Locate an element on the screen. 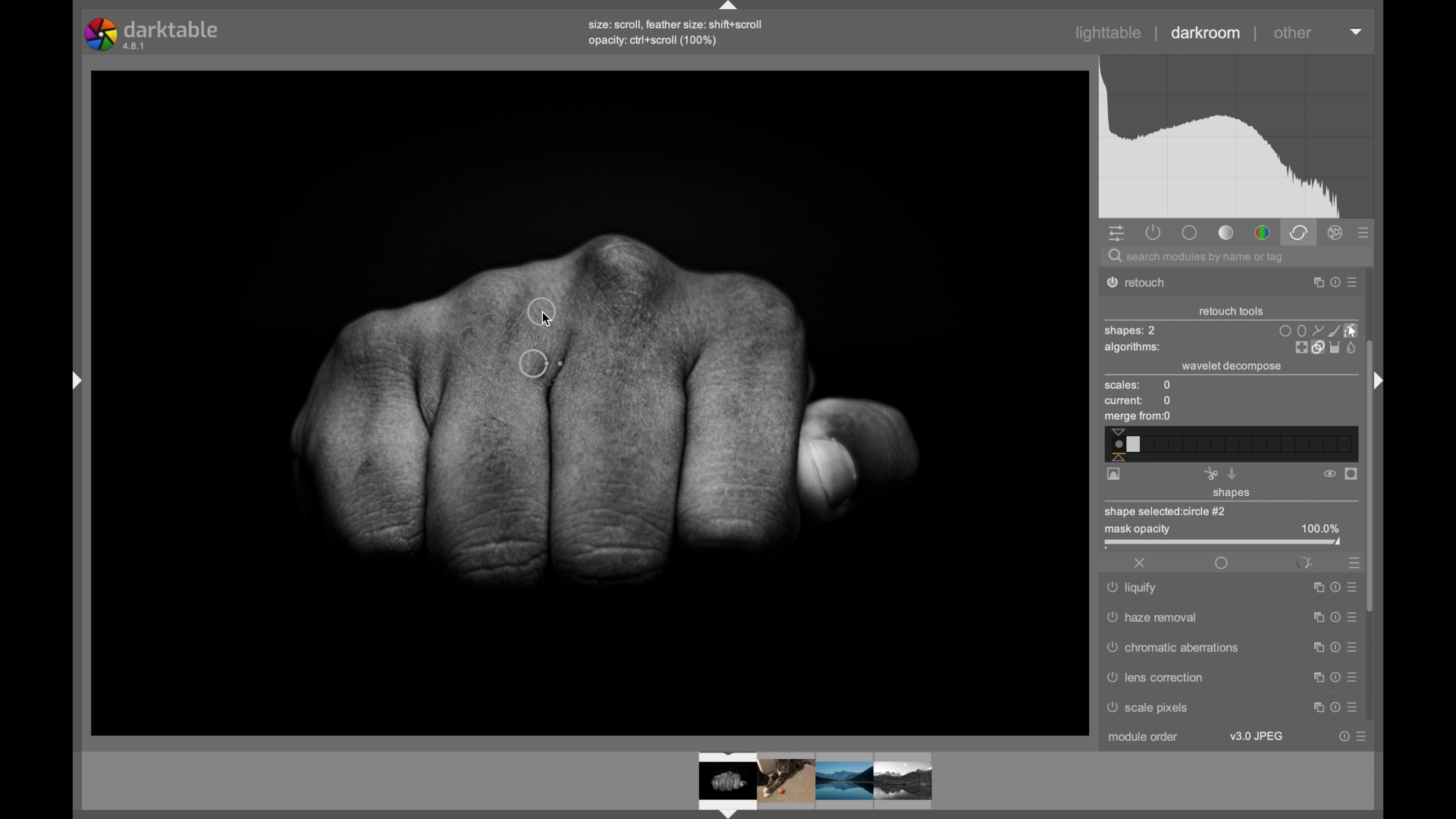 The image size is (1456, 819). drag handle is located at coordinates (71, 379).